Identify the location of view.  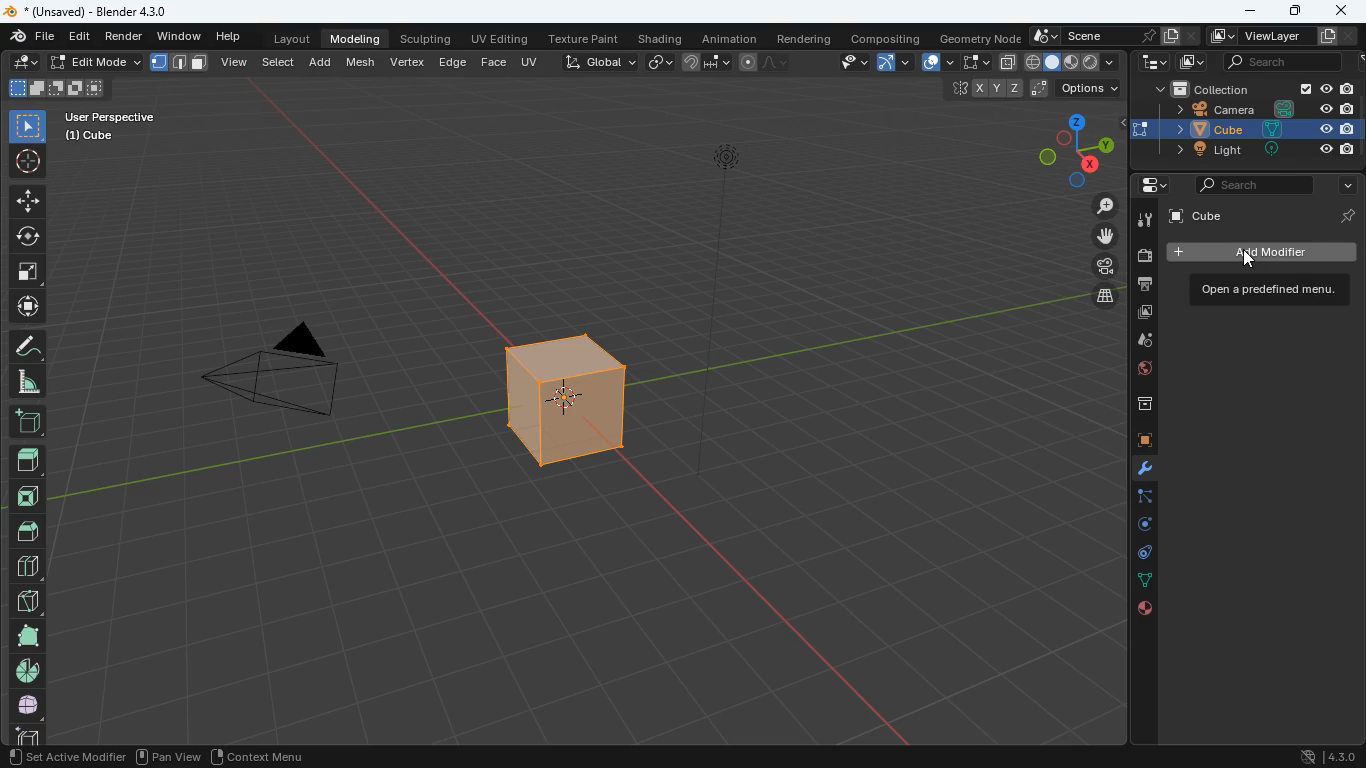
(242, 64).